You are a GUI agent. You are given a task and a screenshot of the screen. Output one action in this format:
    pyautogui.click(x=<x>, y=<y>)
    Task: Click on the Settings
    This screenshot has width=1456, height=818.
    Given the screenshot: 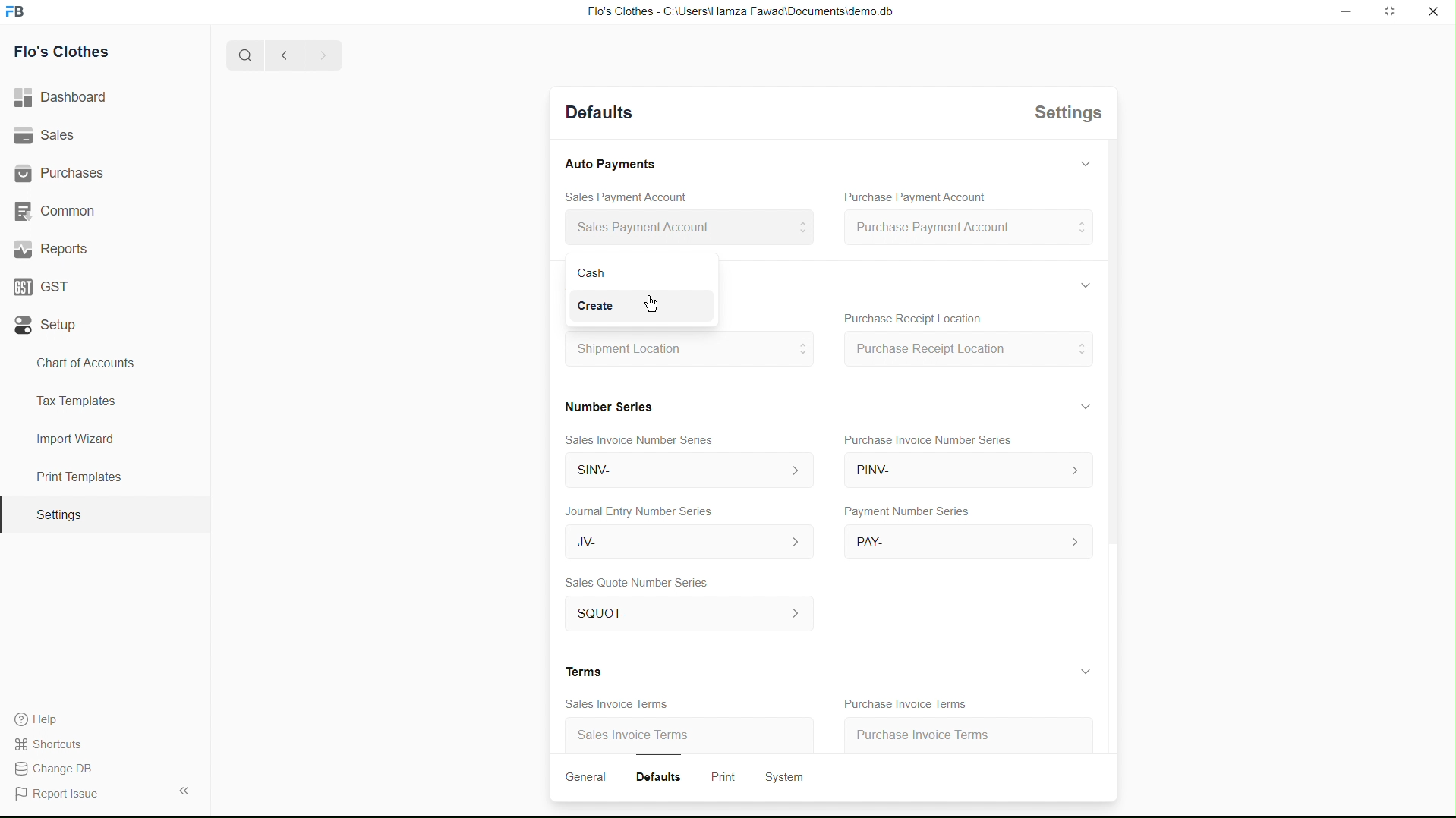 What is the action you would take?
    pyautogui.click(x=58, y=515)
    